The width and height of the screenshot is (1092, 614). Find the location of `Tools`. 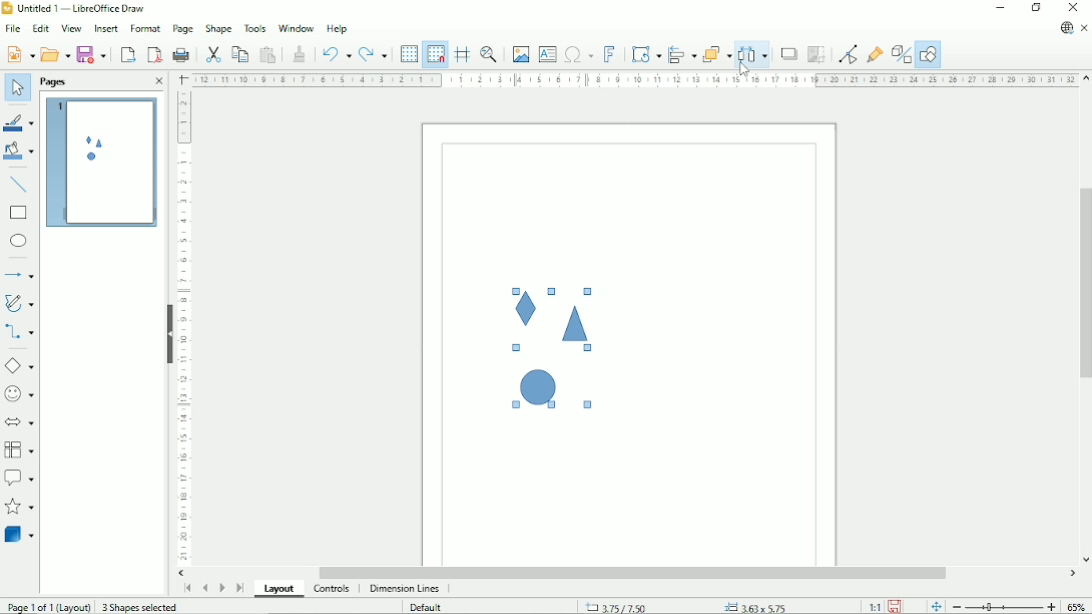

Tools is located at coordinates (255, 28).